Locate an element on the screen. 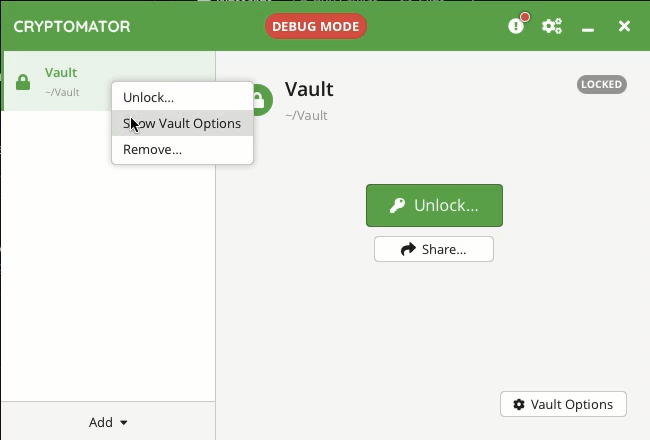  close is located at coordinates (625, 26).